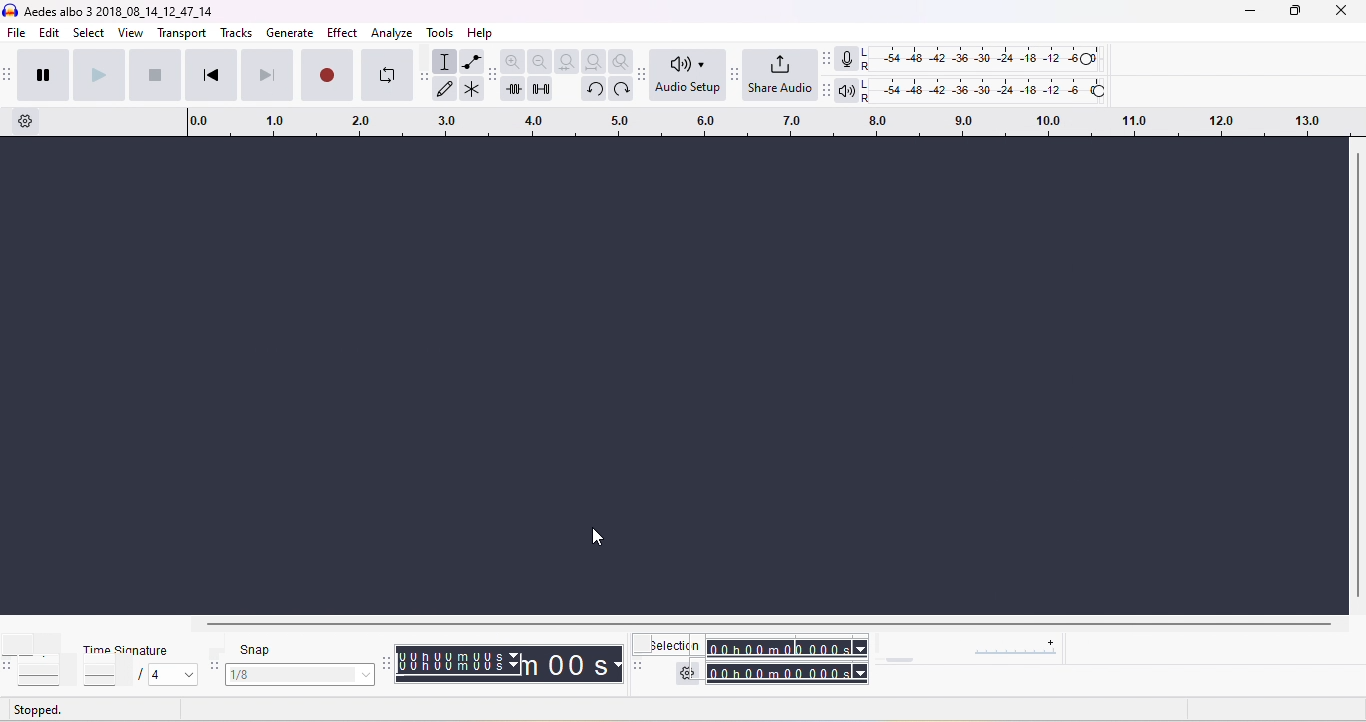 Image resolution: width=1366 pixels, height=722 pixels. What do you see at coordinates (673, 646) in the screenshot?
I see `selection` at bounding box center [673, 646].